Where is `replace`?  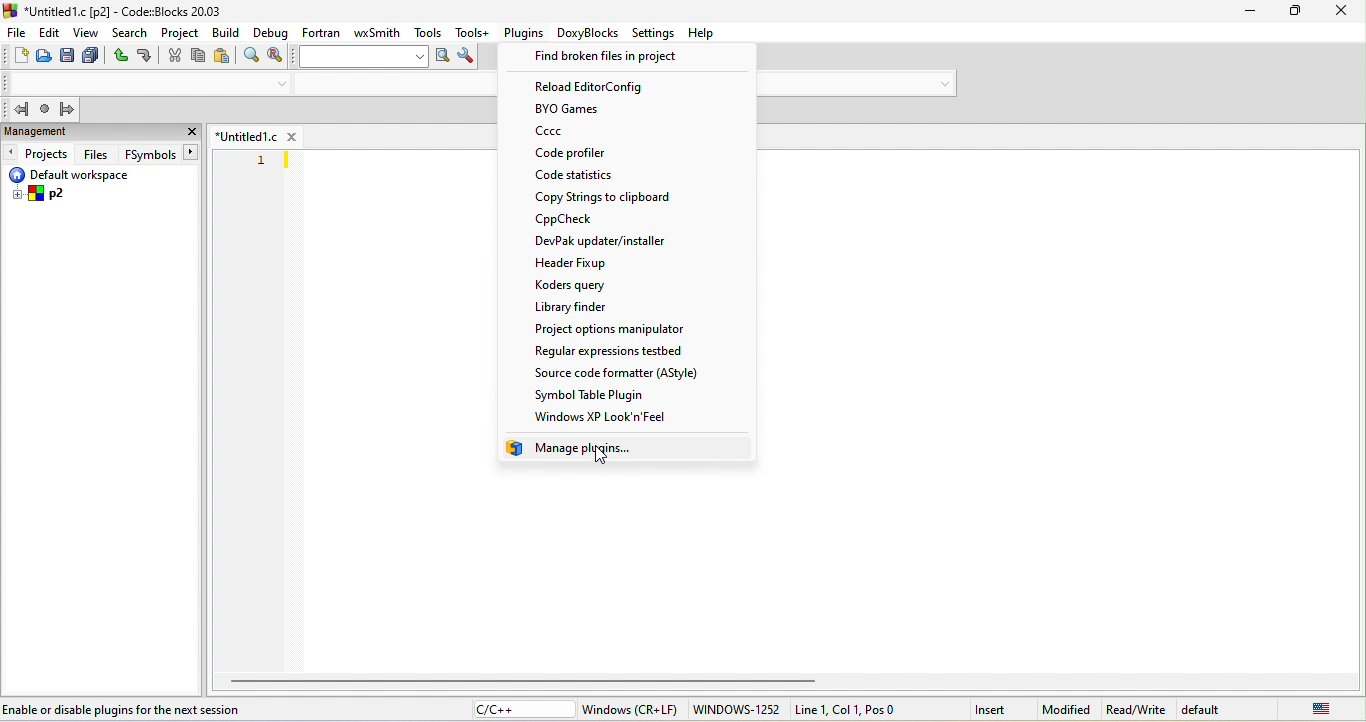
replace is located at coordinates (277, 58).